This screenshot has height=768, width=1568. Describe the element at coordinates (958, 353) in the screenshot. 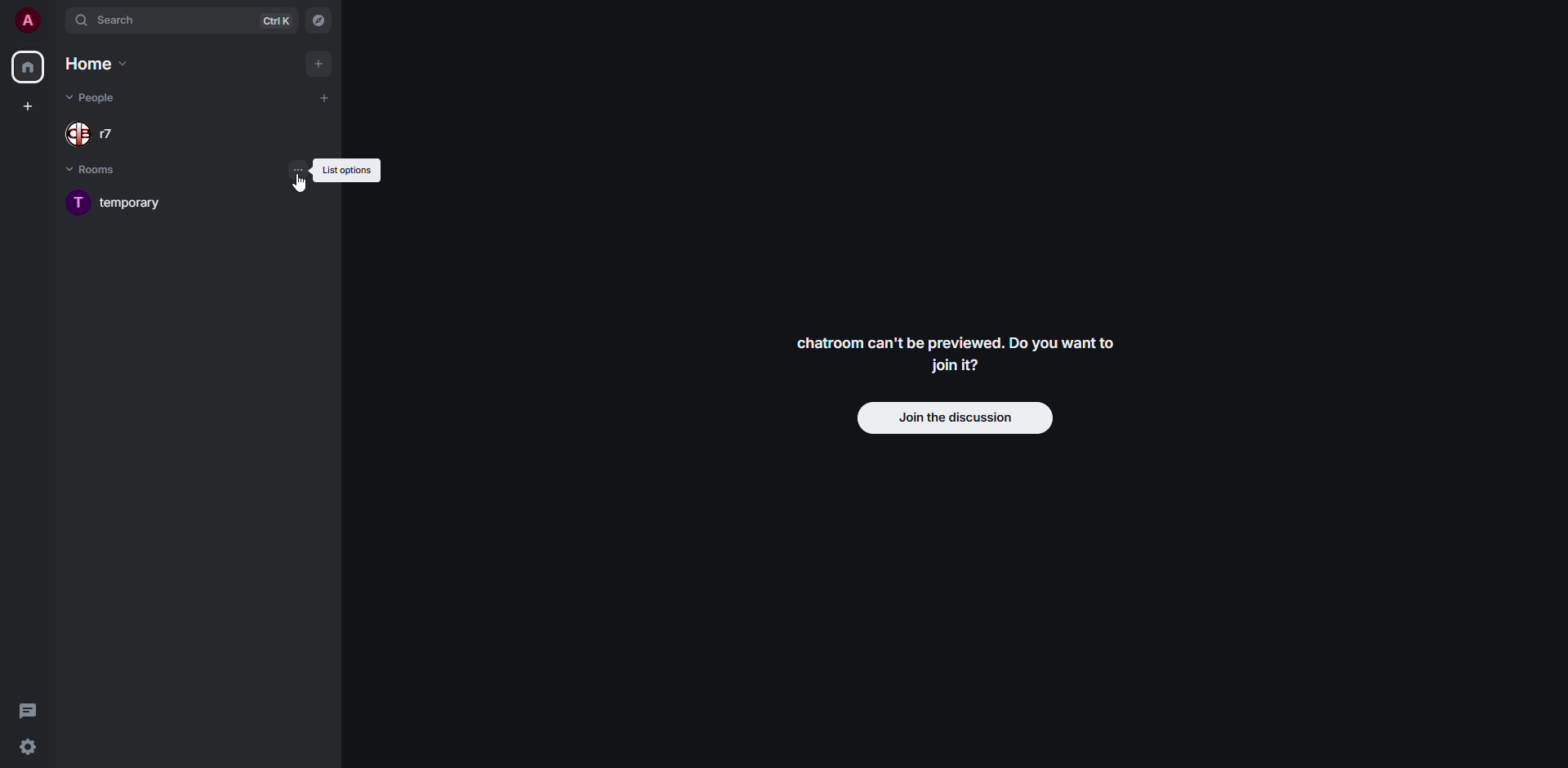

I see `chatroom can't be previewed. Do you want to join it?` at that location.